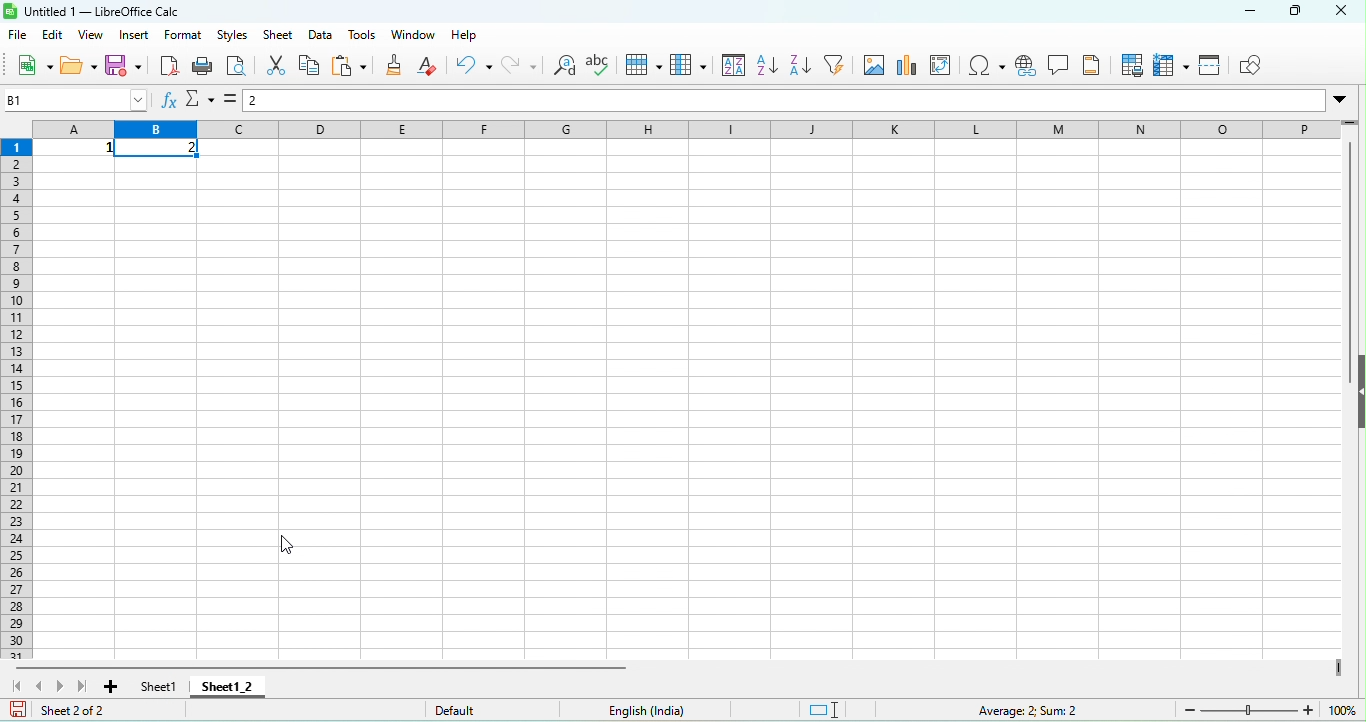 The image size is (1366, 722). Describe the element at coordinates (168, 101) in the screenshot. I see `function wizard` at that location.